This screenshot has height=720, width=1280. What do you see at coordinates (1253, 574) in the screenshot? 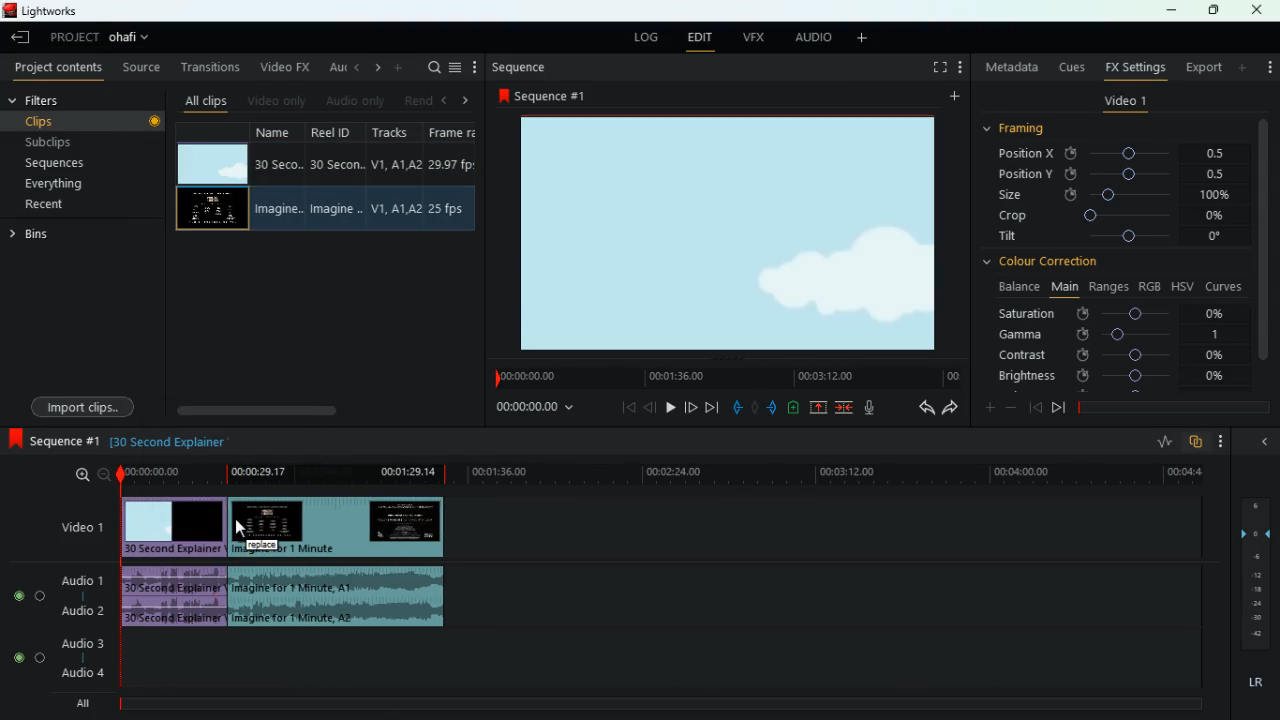
I see `frames` at bounding box center [1253, 574].